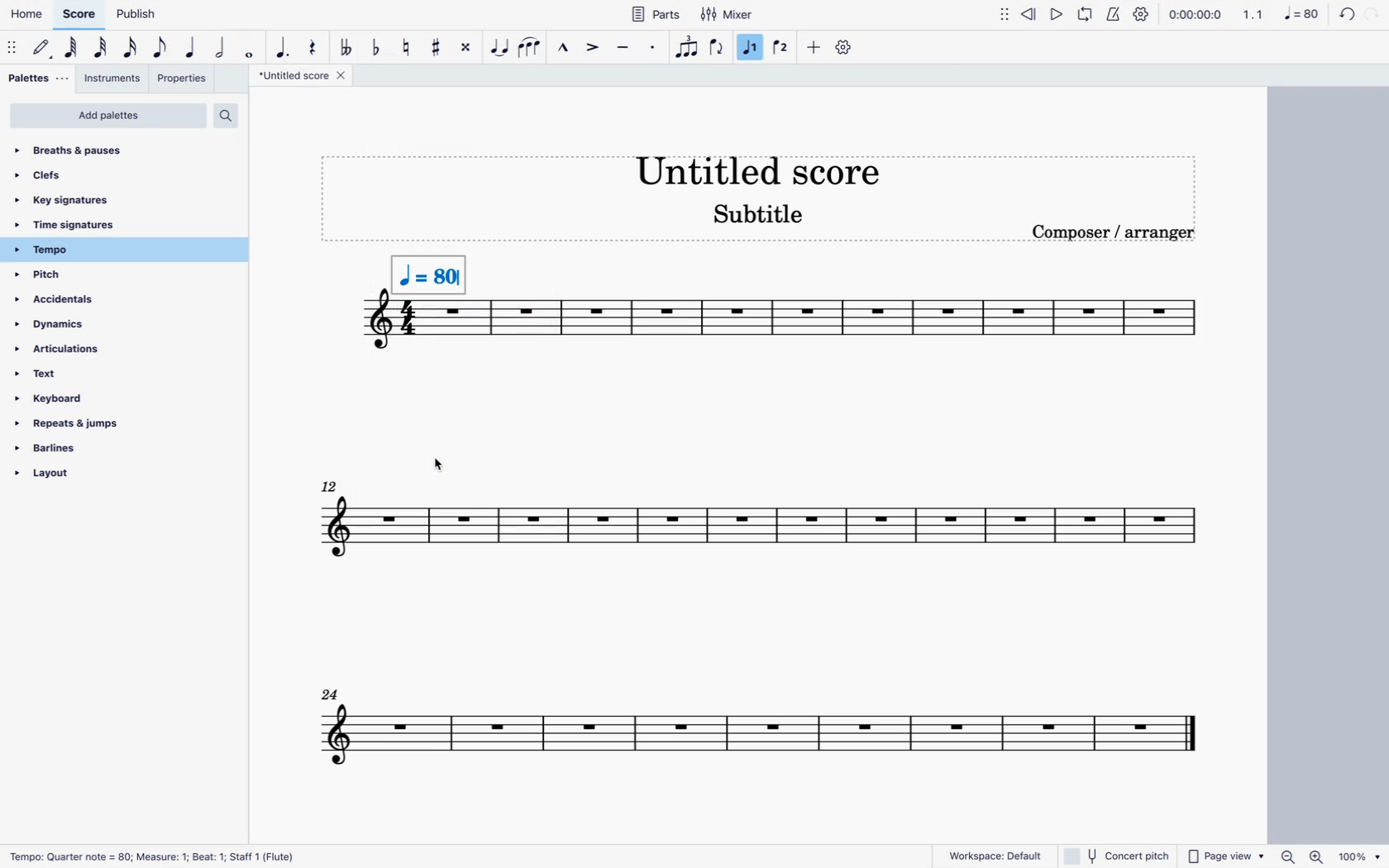  I want to click on score, so click(375, 324).